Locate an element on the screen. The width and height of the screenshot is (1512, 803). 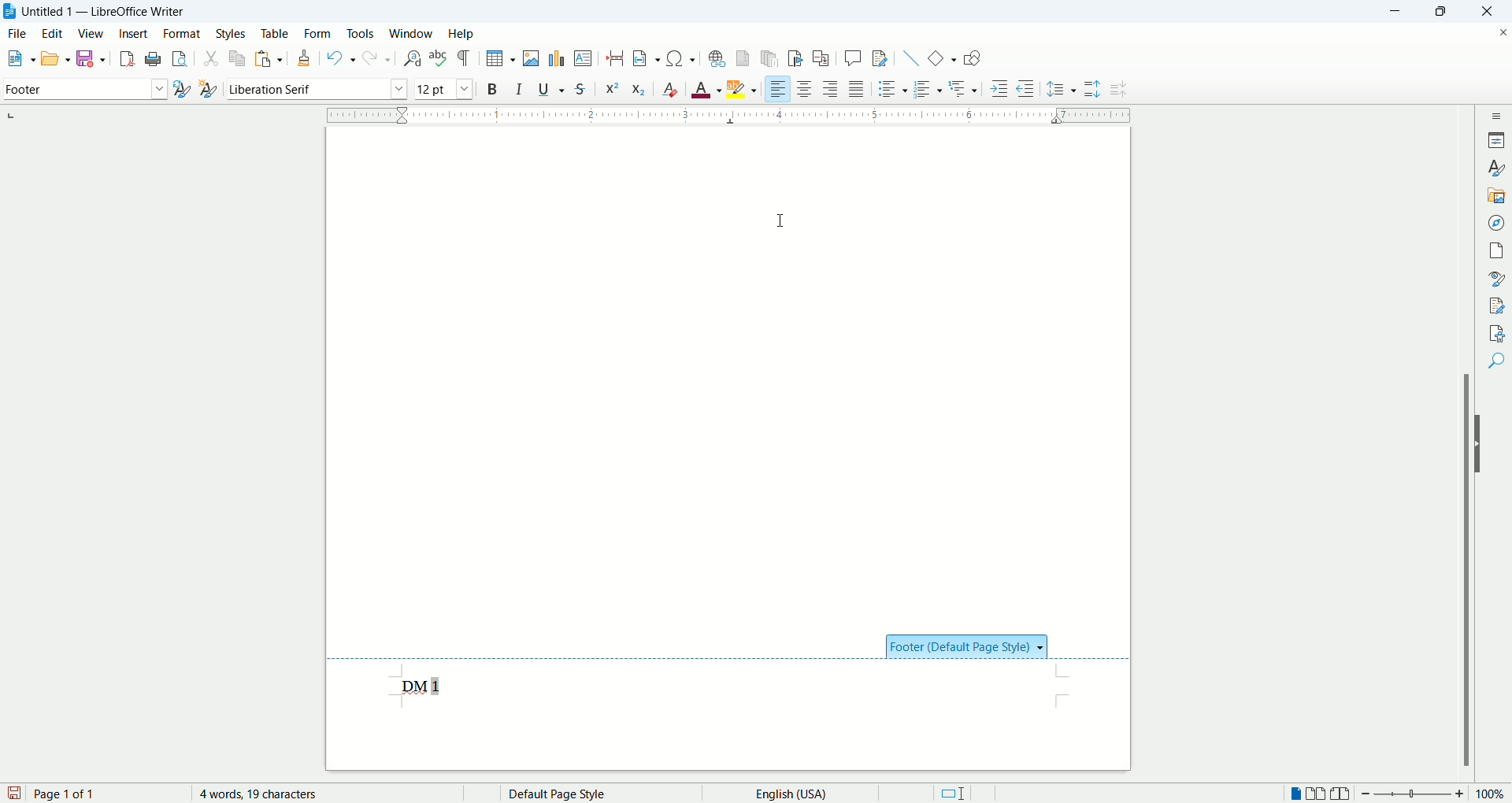
form is located at coordinates (318, 32).